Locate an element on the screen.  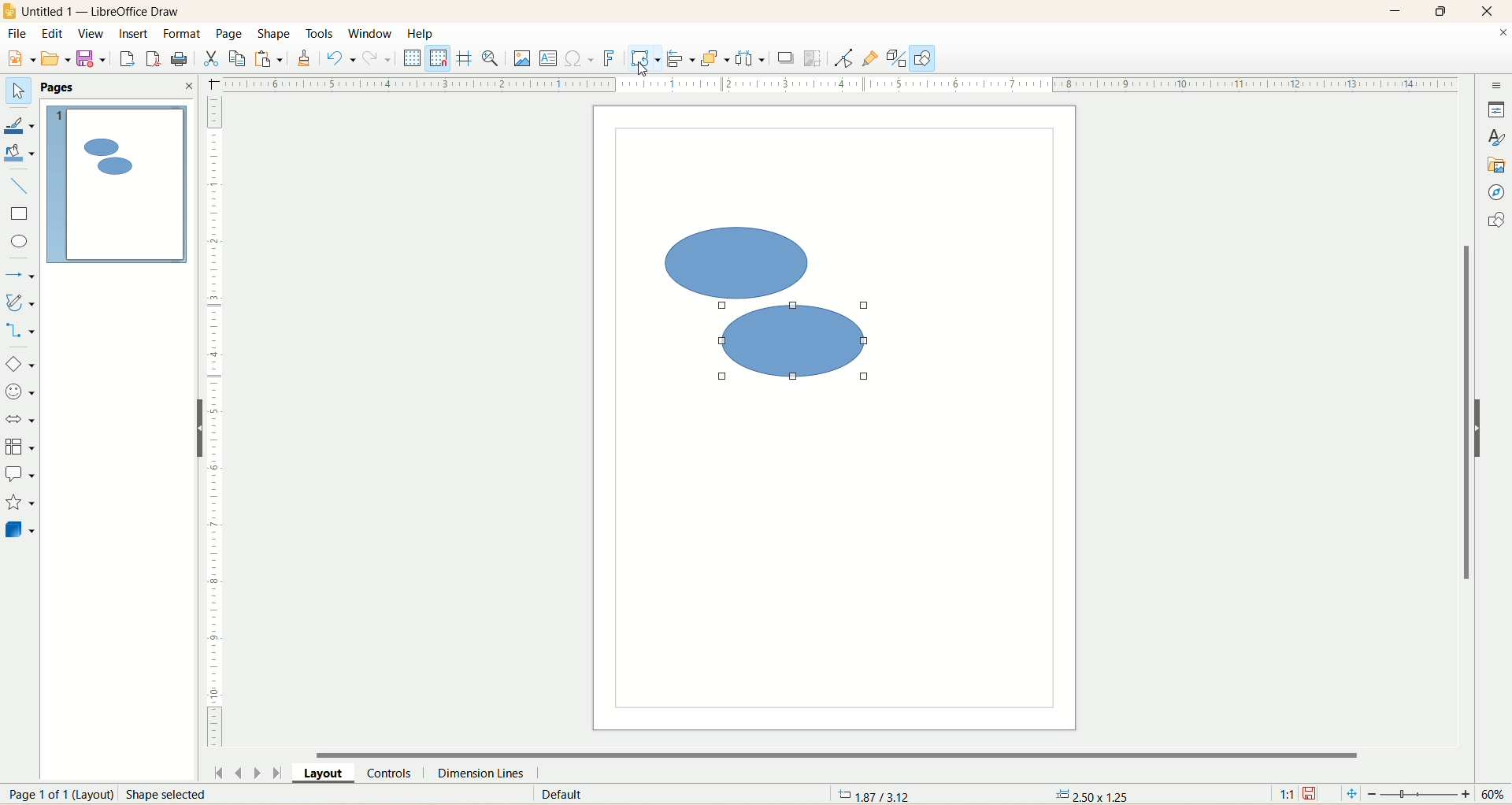
edit is located at coordinates (51, 33).